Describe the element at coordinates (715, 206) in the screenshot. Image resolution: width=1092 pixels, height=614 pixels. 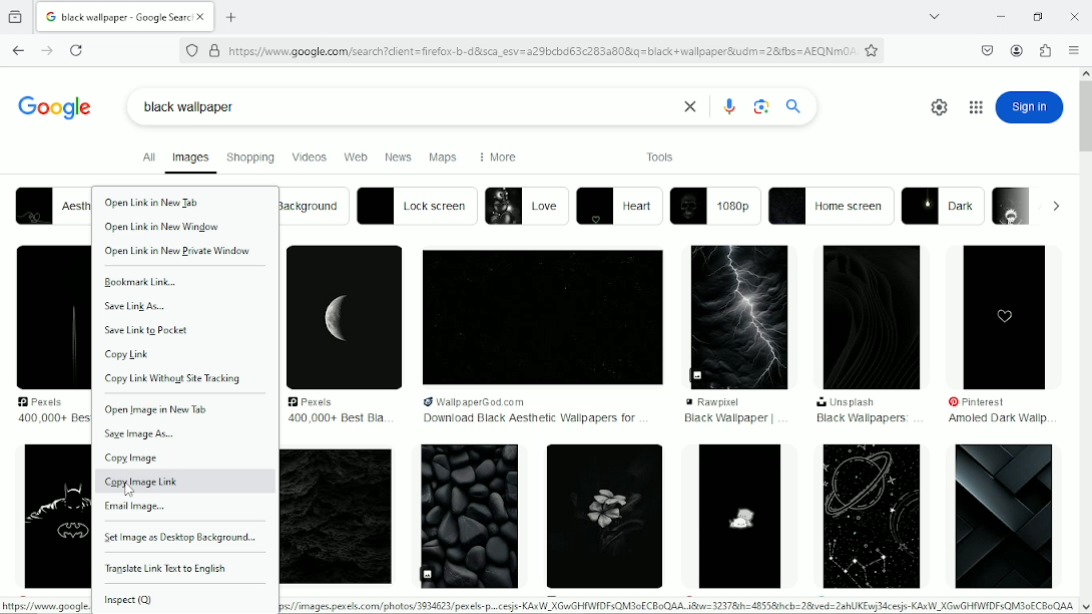
I see `1080p` at that location.